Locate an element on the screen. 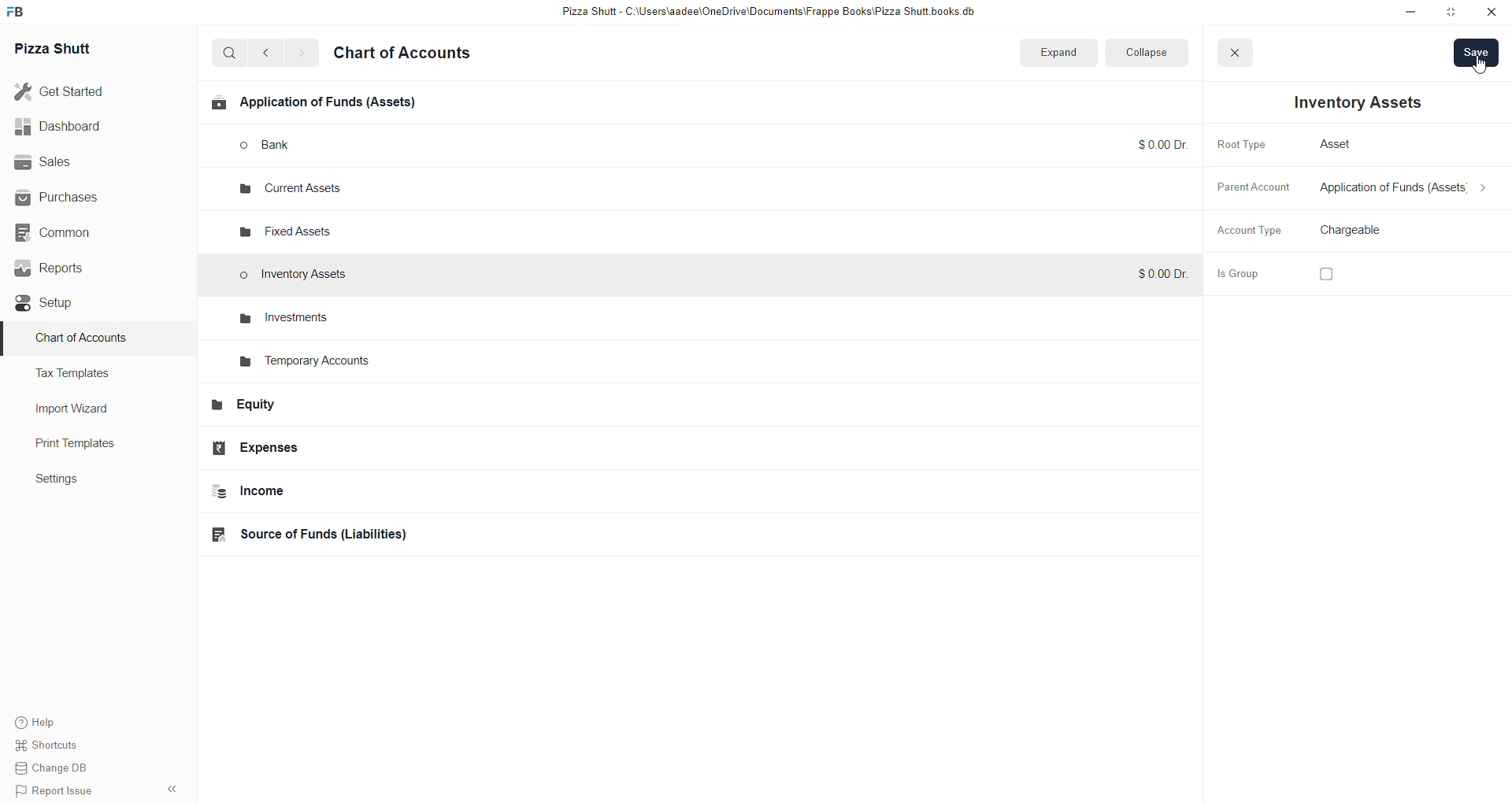  close  is located at coordinates (1228, 53).